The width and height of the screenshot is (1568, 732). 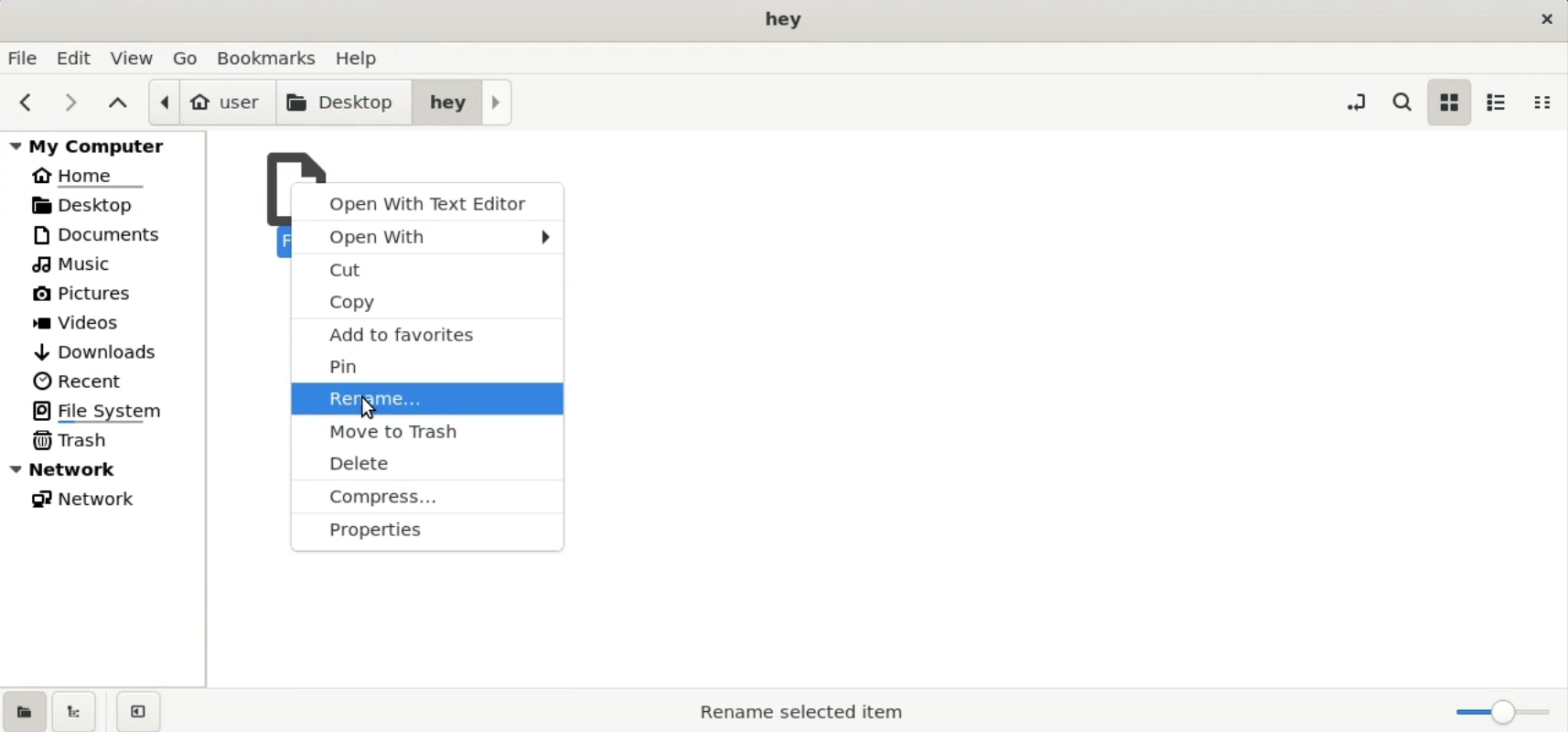 I want to click on copy, so click(x=428, y=303).